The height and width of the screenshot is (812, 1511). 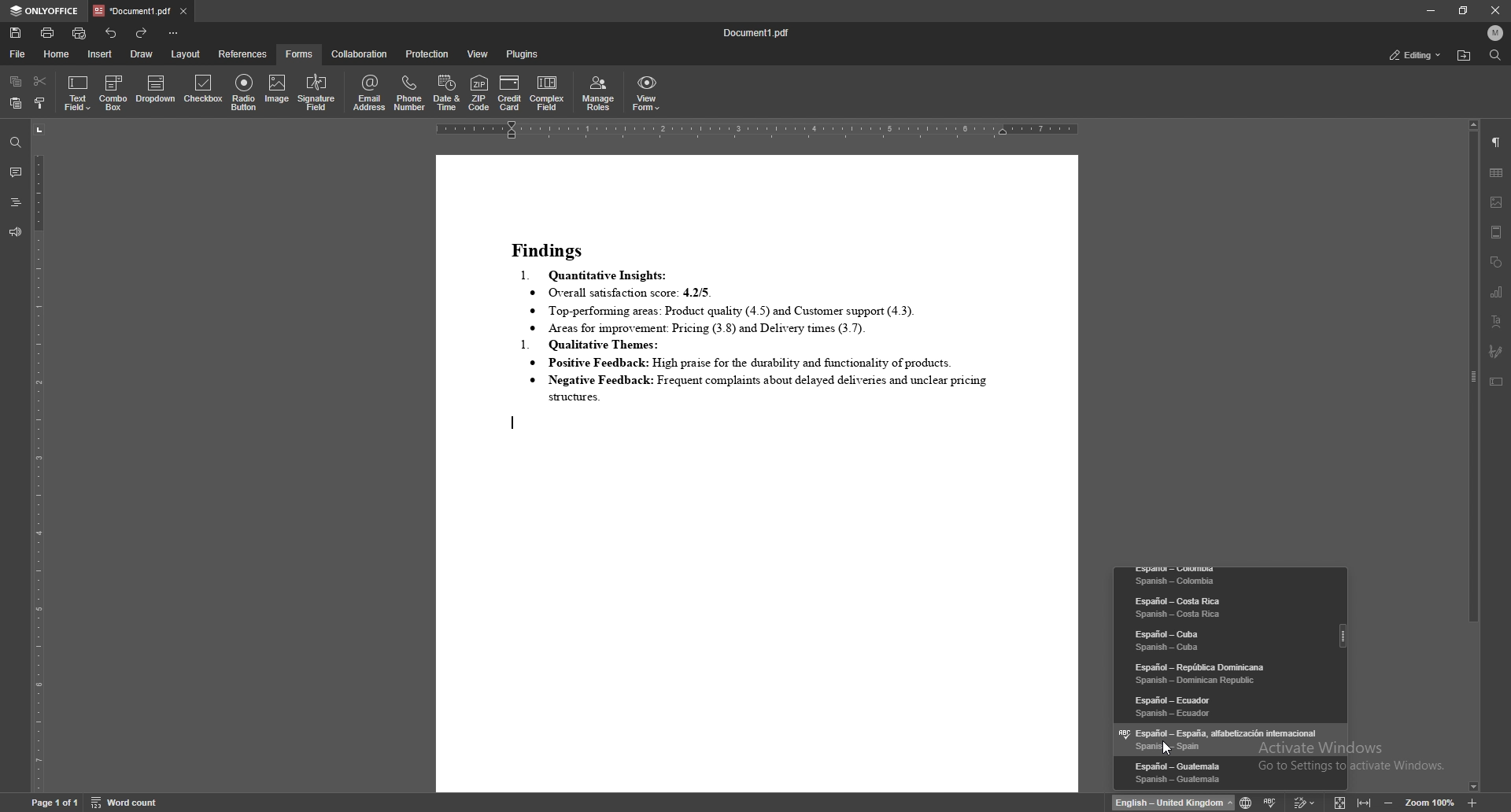 I want to click on find, so click(x=14, y=142).